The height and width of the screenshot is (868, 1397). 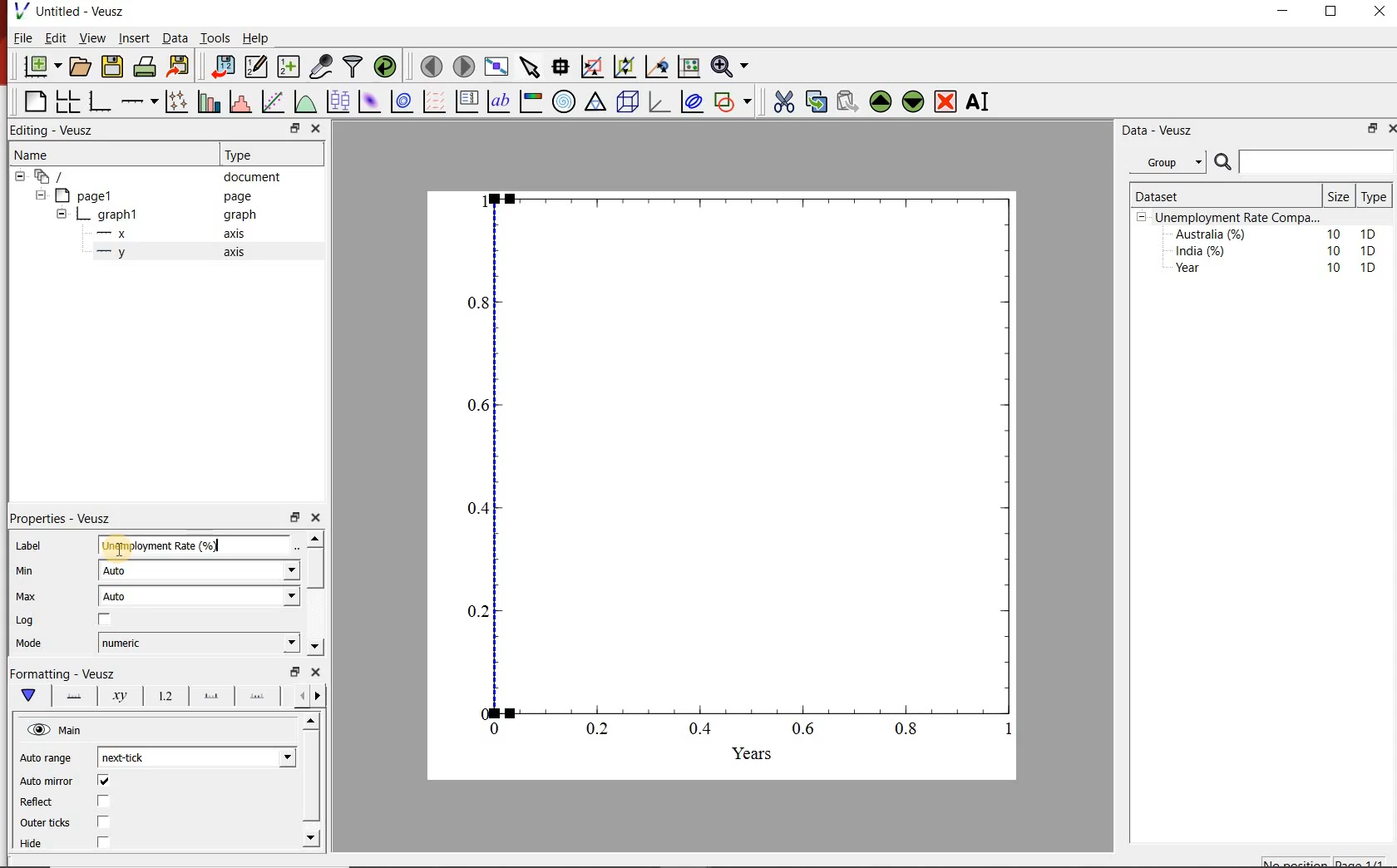 What do you see at coordinates (1173, 131) in the screenshot?
I see `Data - Veusz` at bounding box center [1173, 131].